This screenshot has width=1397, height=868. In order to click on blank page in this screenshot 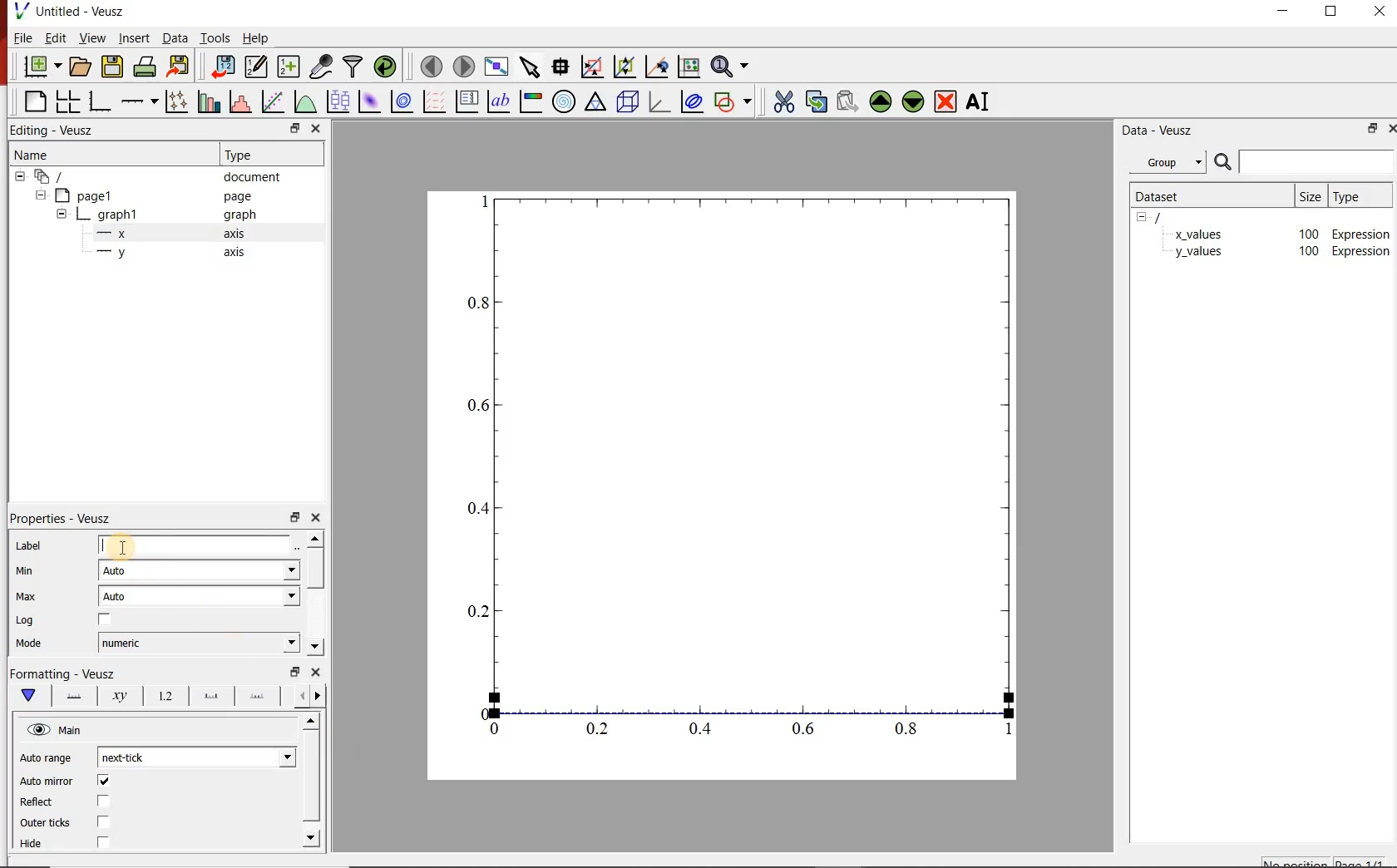, I will do `click(35, 101)`.